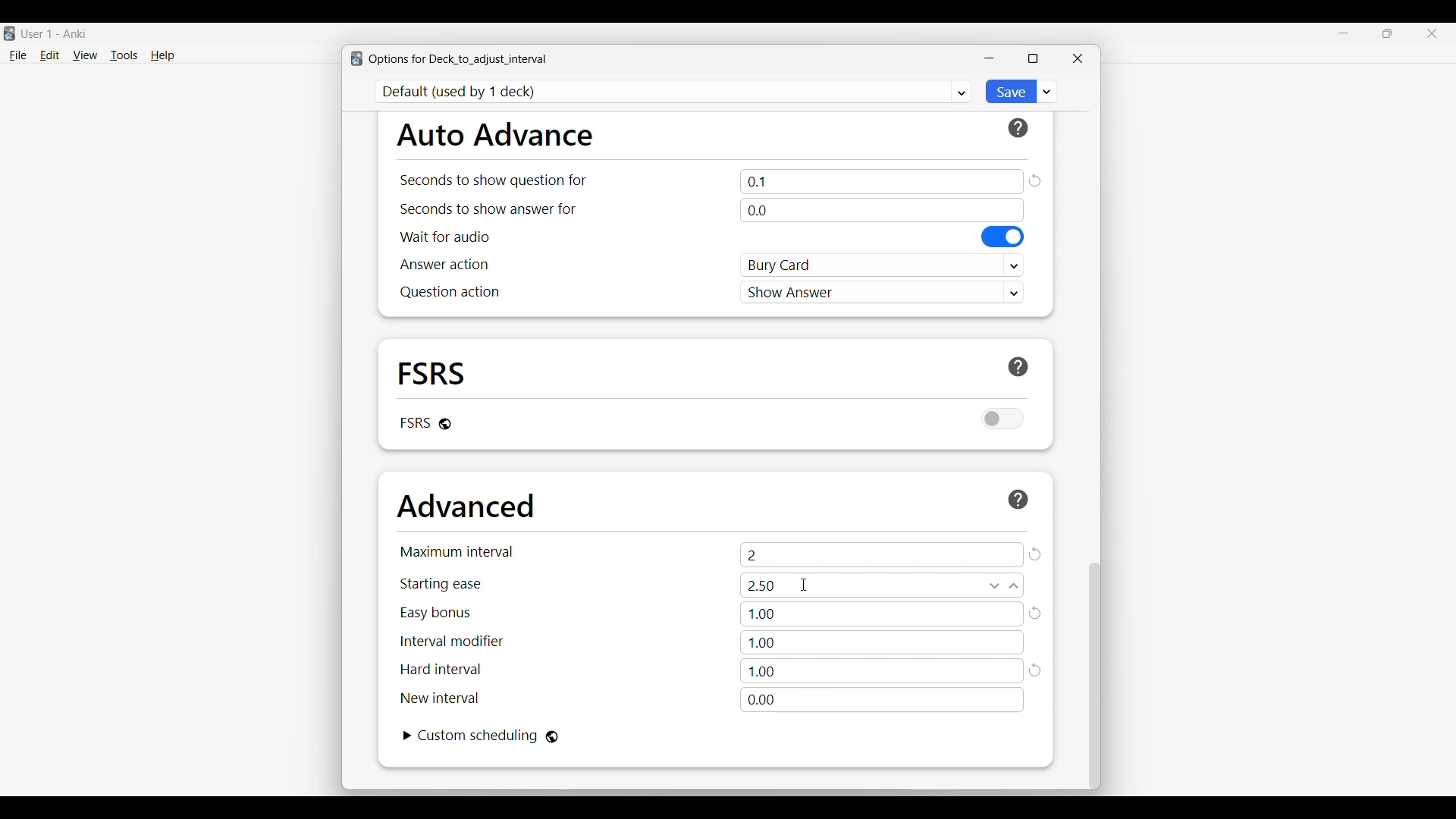  Describe the element at coordinates (479, 736) in the screenshot. I see `Indicates custom scheduling` at that location.